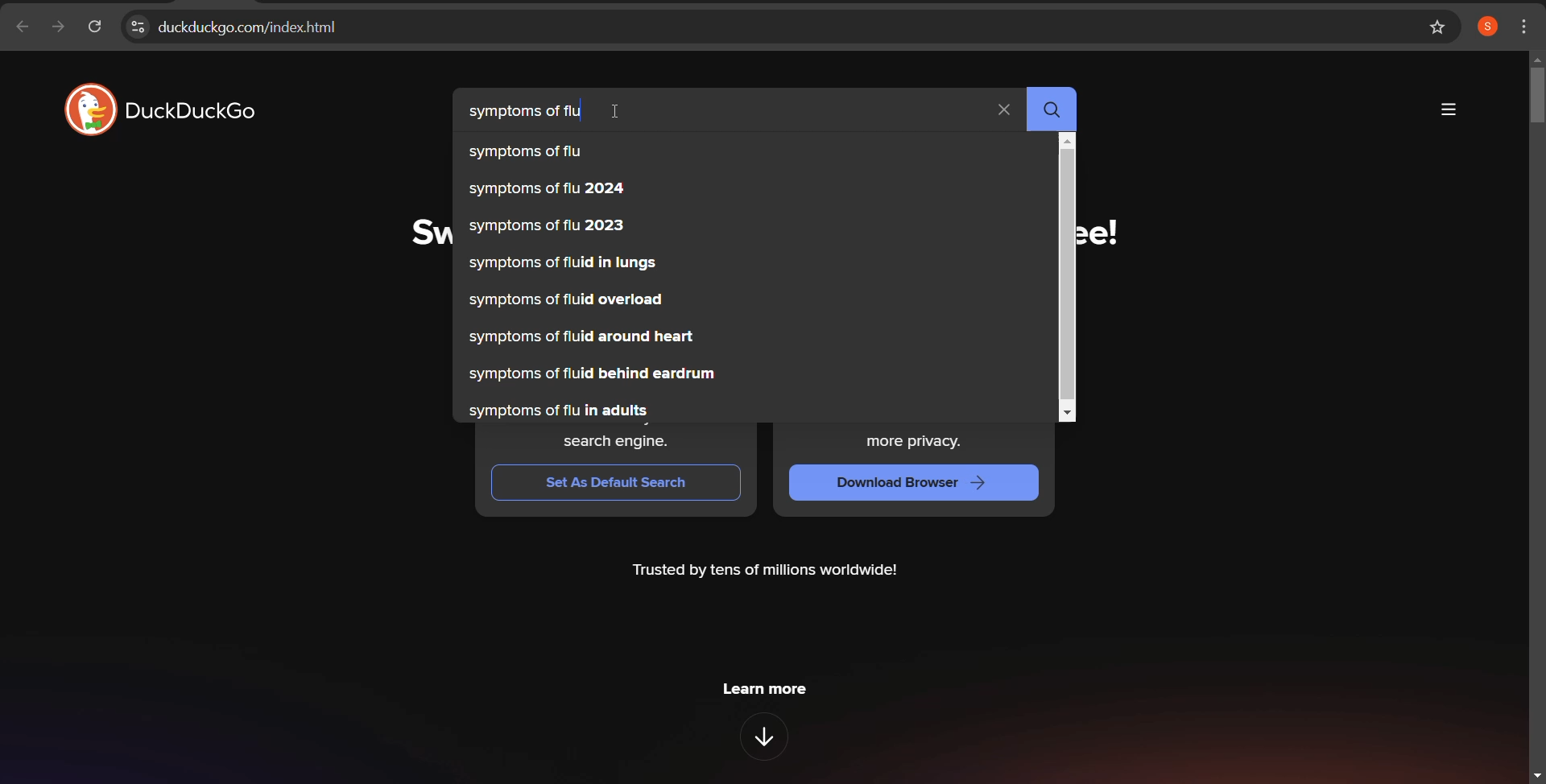 The width and height of the screenshot is (1546, 784). What do you see at coordinates (619, 112) in the screenshot?
I see `cursor` at bounding box center [619, 112].